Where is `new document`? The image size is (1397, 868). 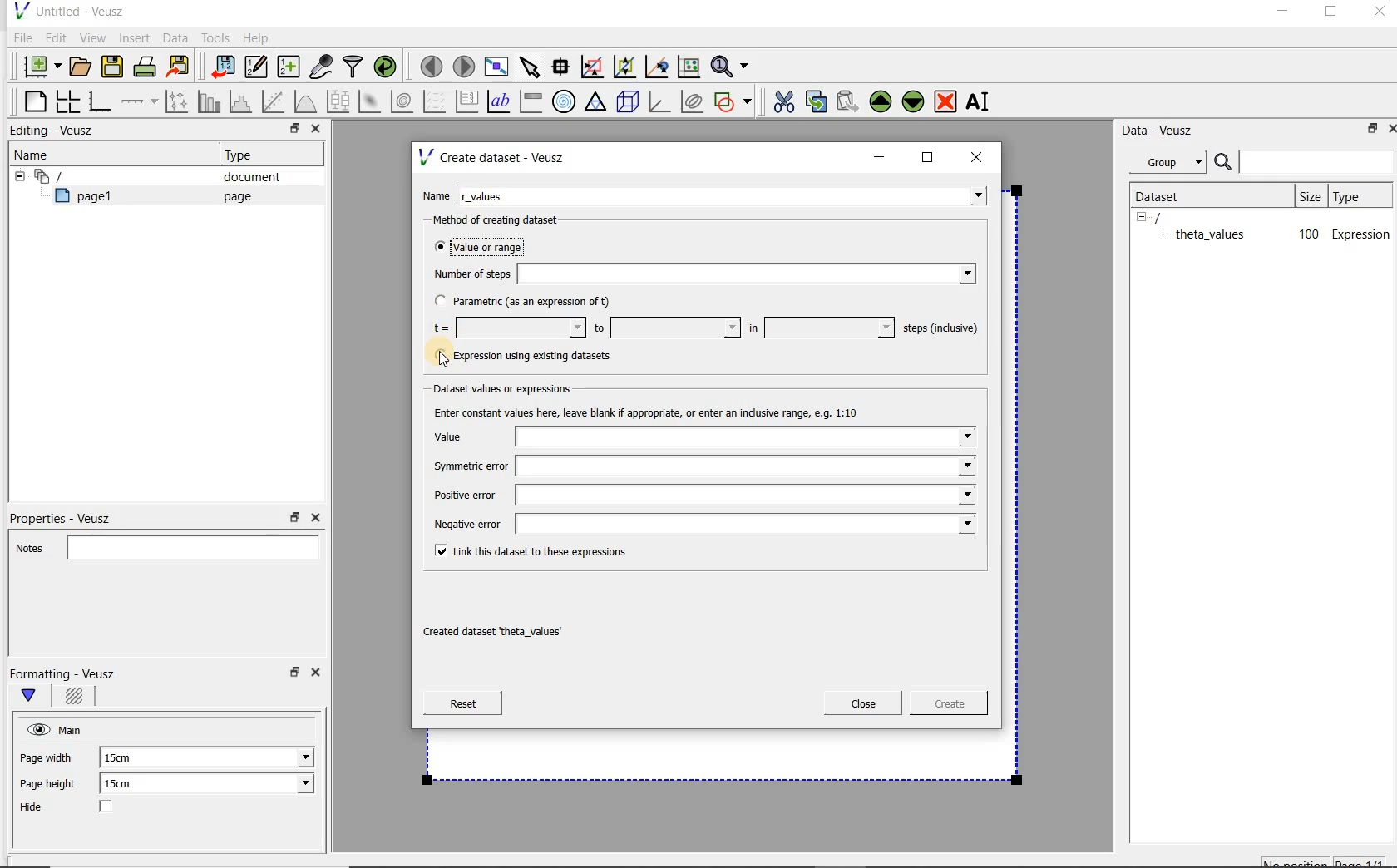
new document is located at coordinates (38, 64).